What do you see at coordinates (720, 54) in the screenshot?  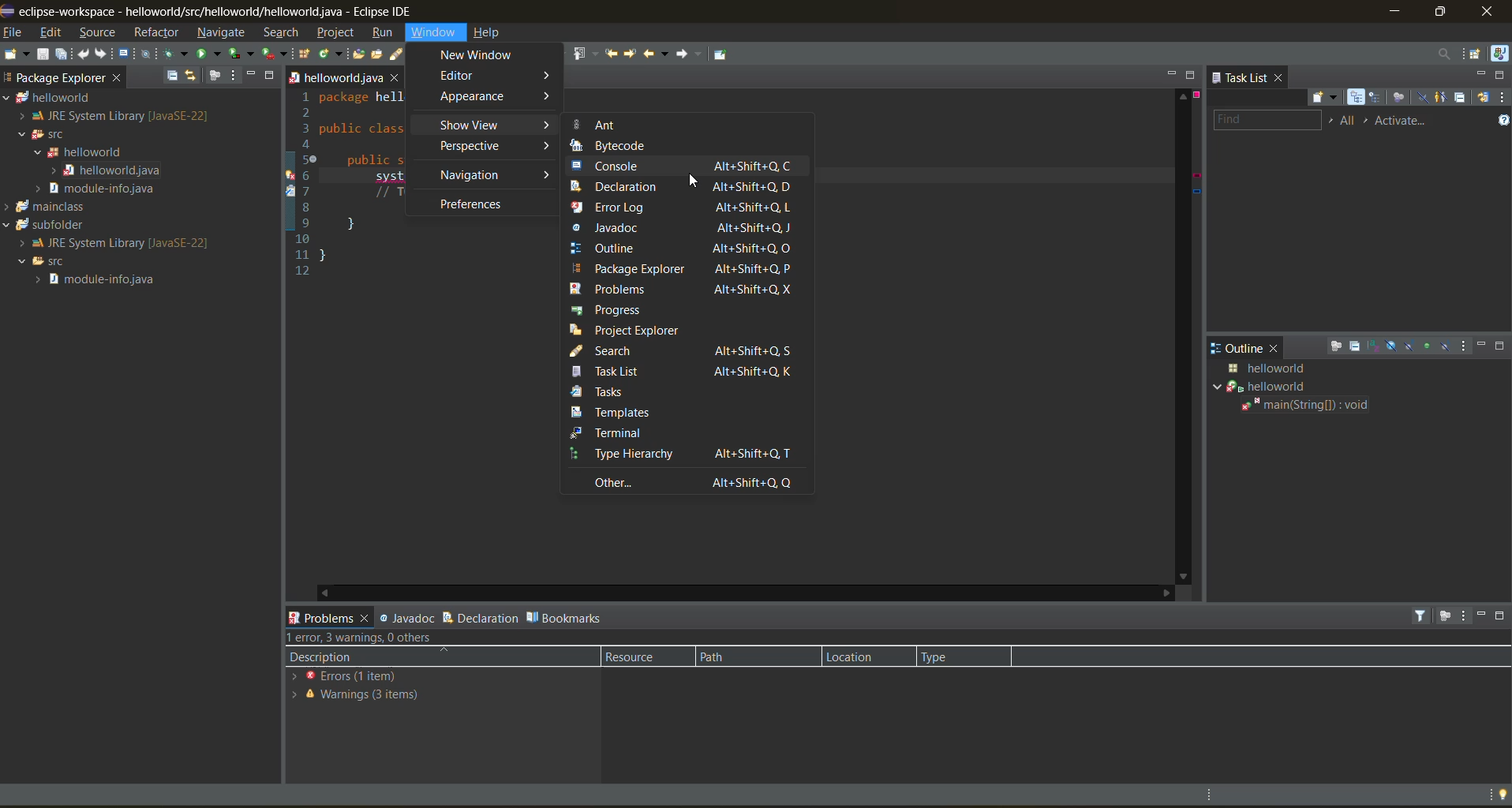 I see `pin editor` at bounding box center [720, 54].